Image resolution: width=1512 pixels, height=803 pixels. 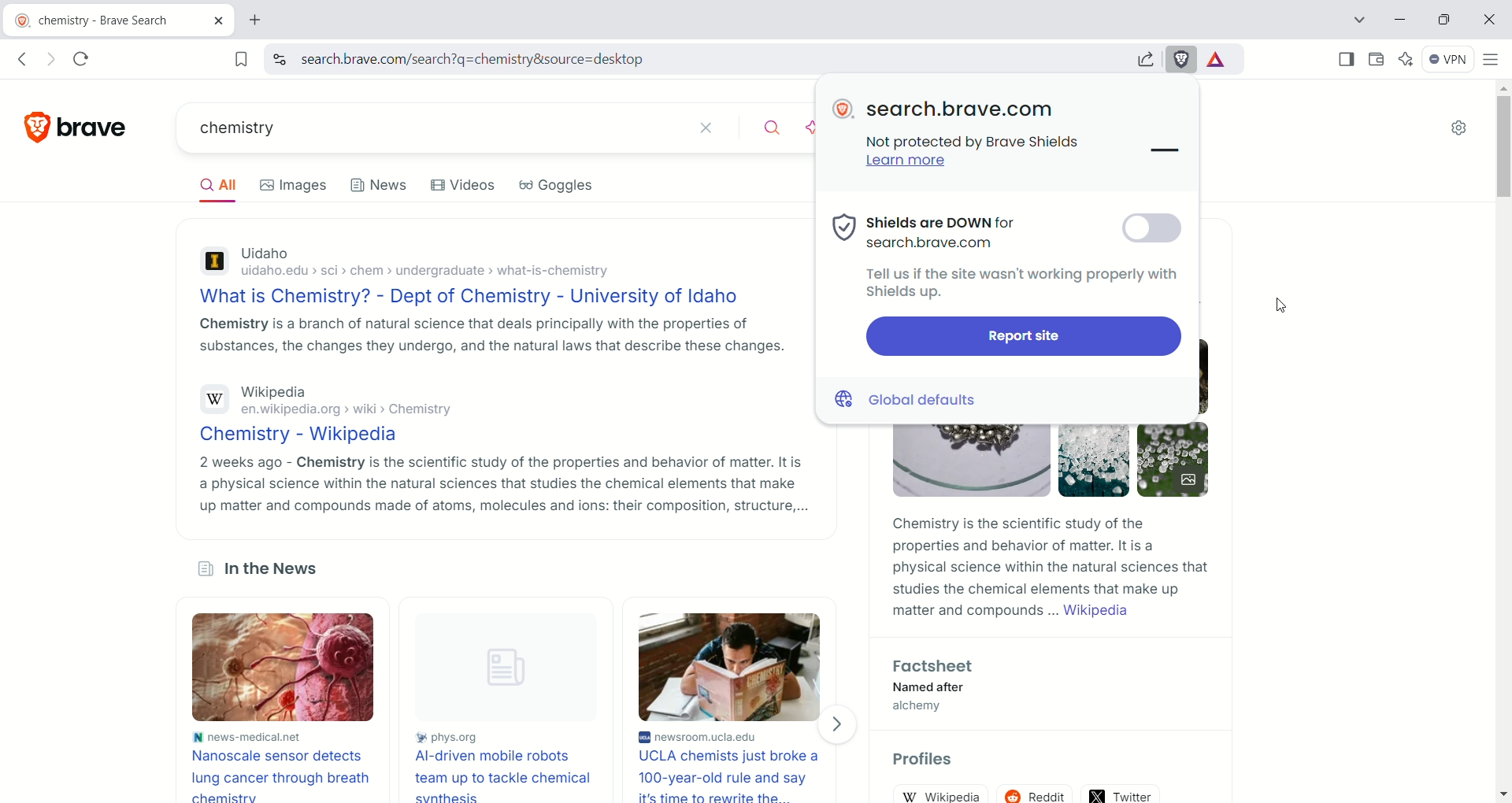 What do you see at coordinates (1162, 152) in the screenshot?
I see `null` at bounding box center [1162, 152].